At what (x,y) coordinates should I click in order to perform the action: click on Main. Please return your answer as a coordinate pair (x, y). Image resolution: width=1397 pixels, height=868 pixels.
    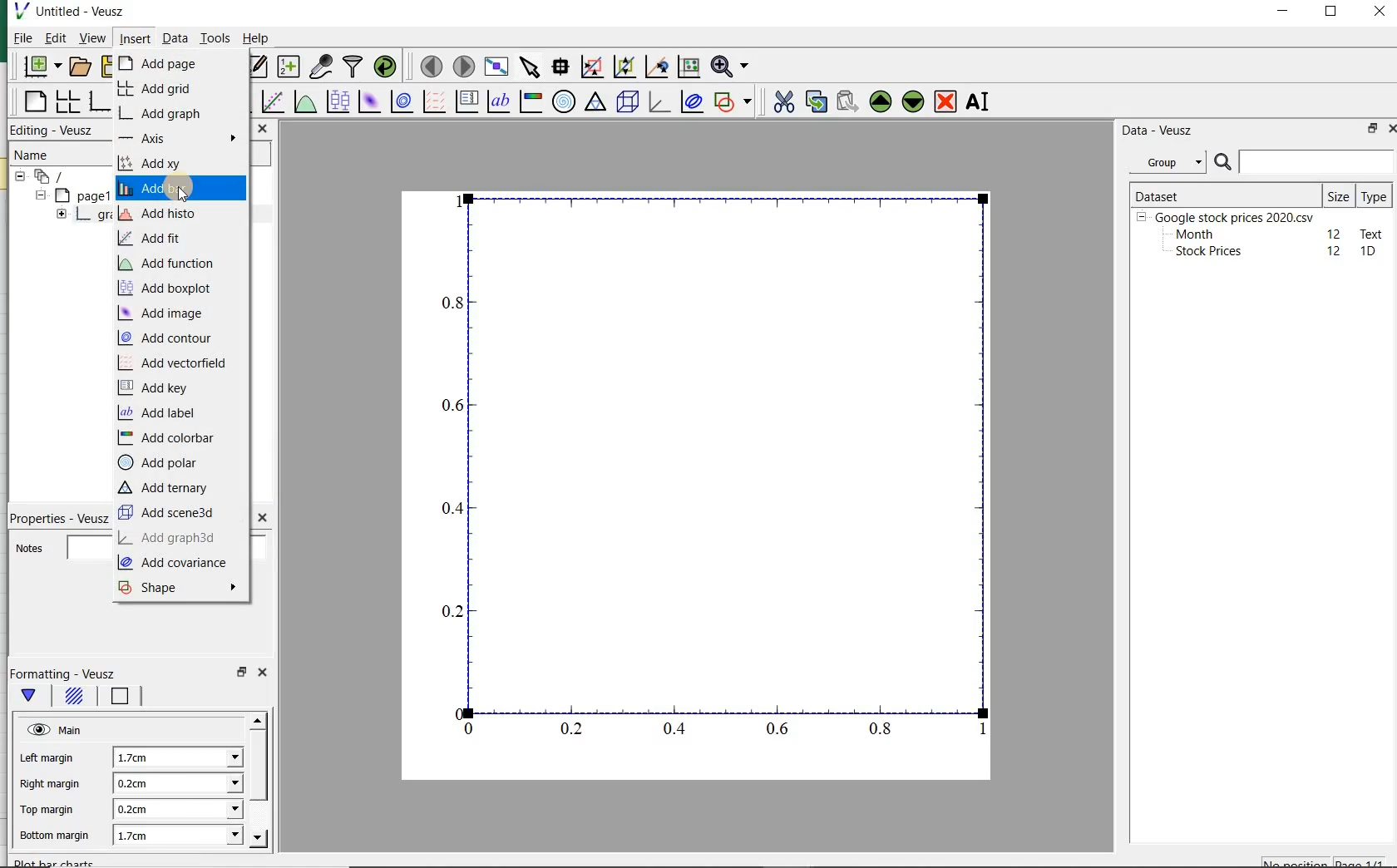
    Looking at the image, I should click on (57, 731).